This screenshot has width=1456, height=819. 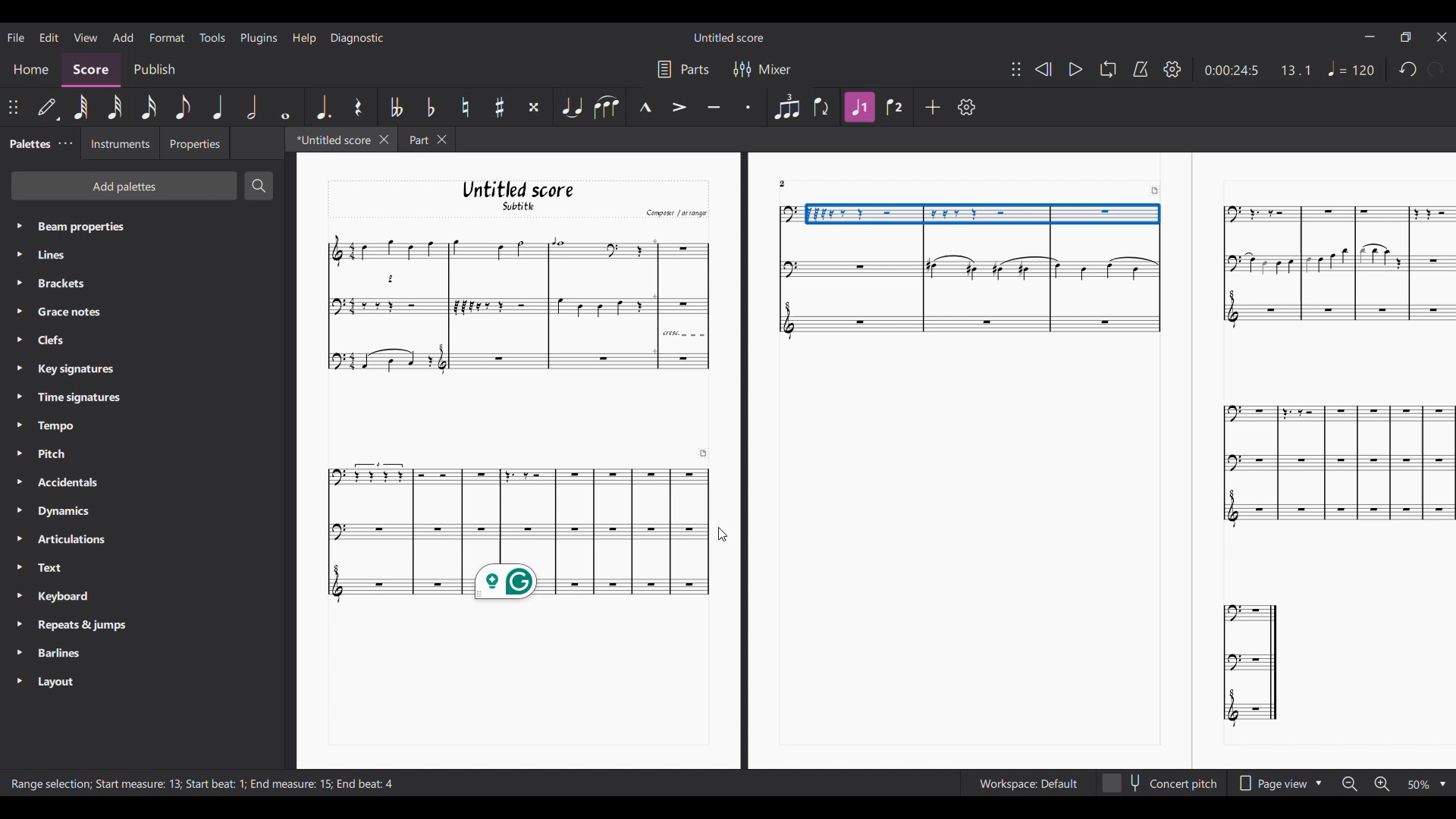 I want to click on Graph, so click(x=516, y=301).